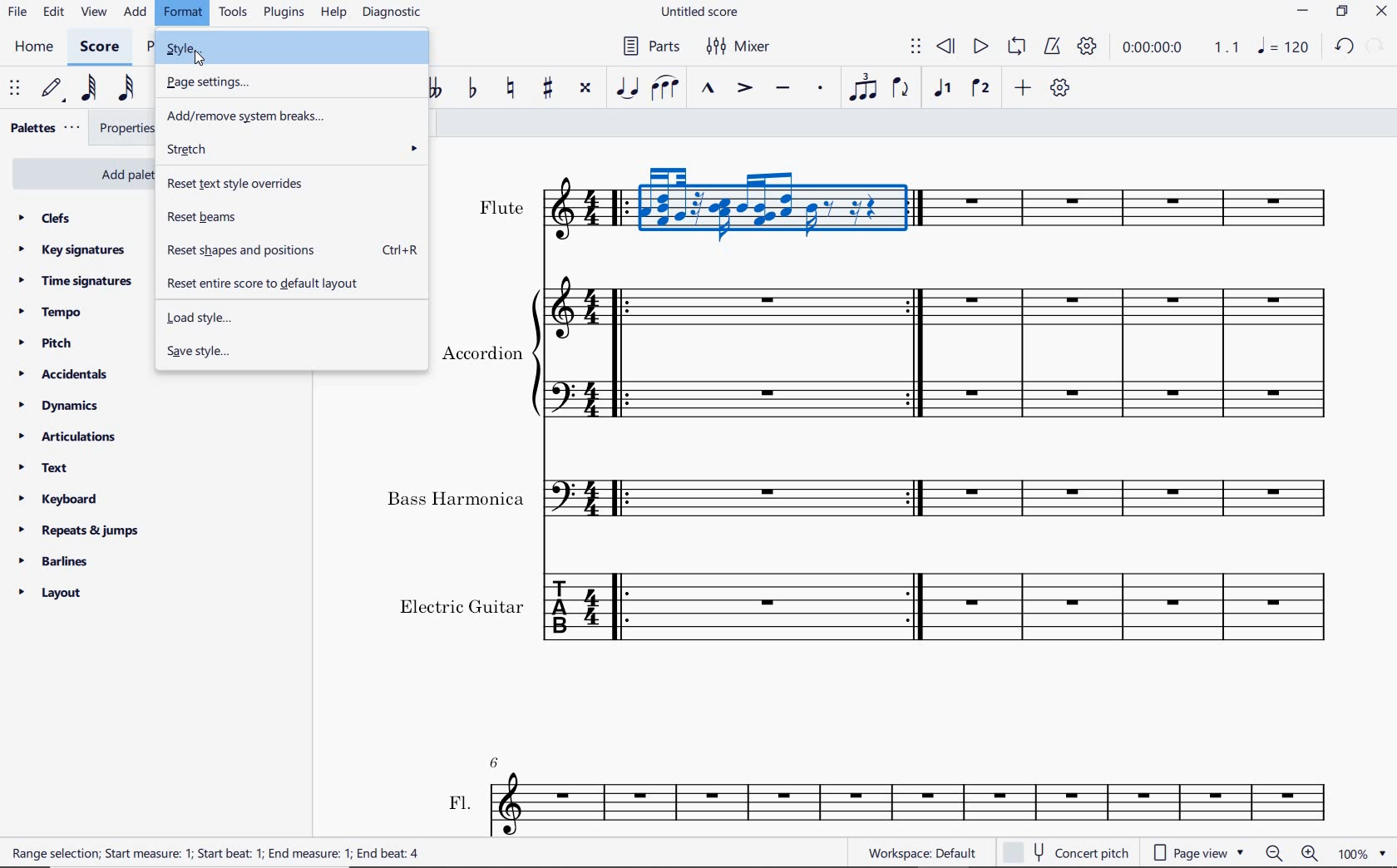  Describe the element at coordinates (284, 12) in the screenshot. I see `plugins` at that location.